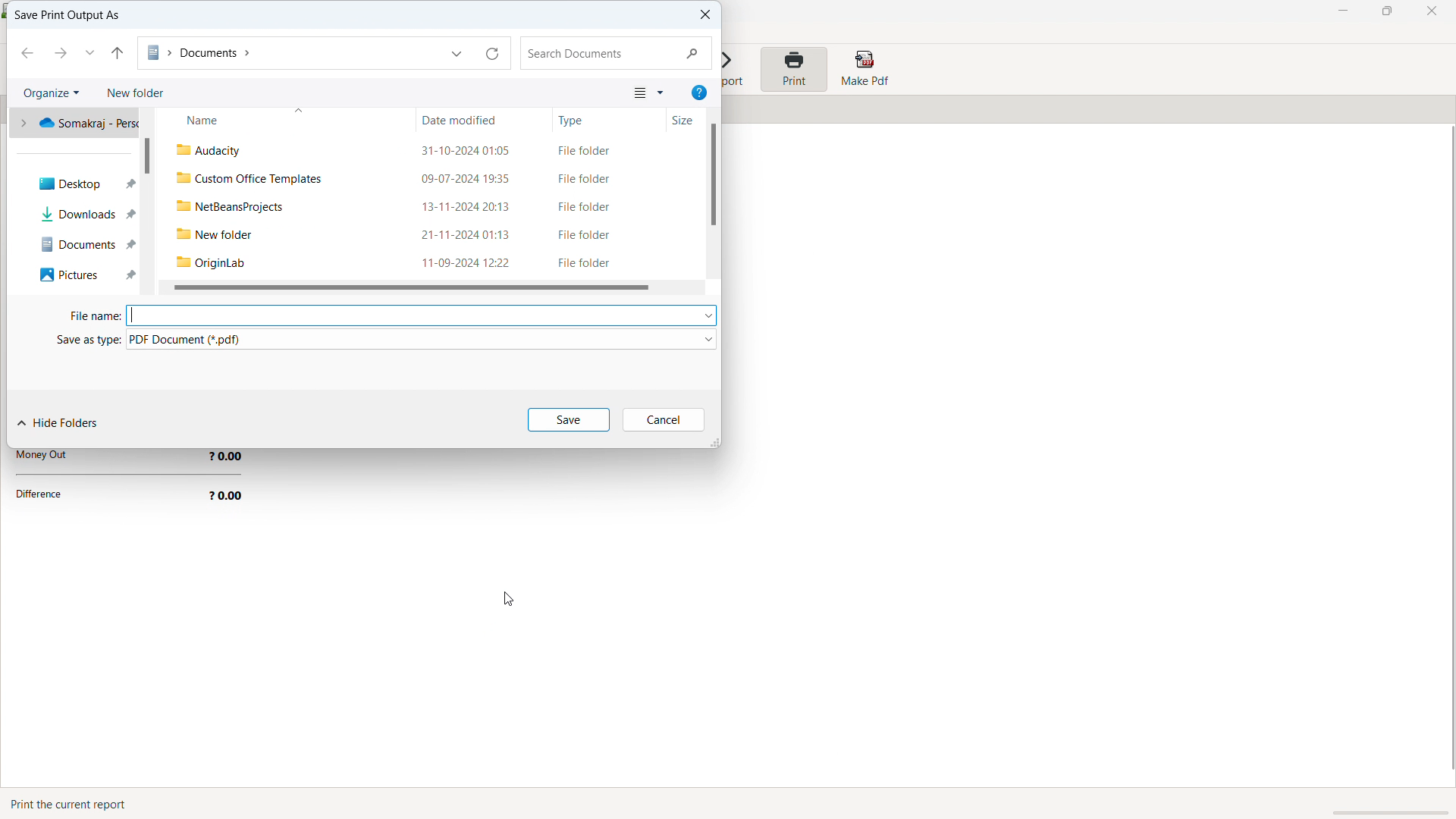 This screenshot has width=1456, height=819. I want to click on recent locations, so click(90, 52).